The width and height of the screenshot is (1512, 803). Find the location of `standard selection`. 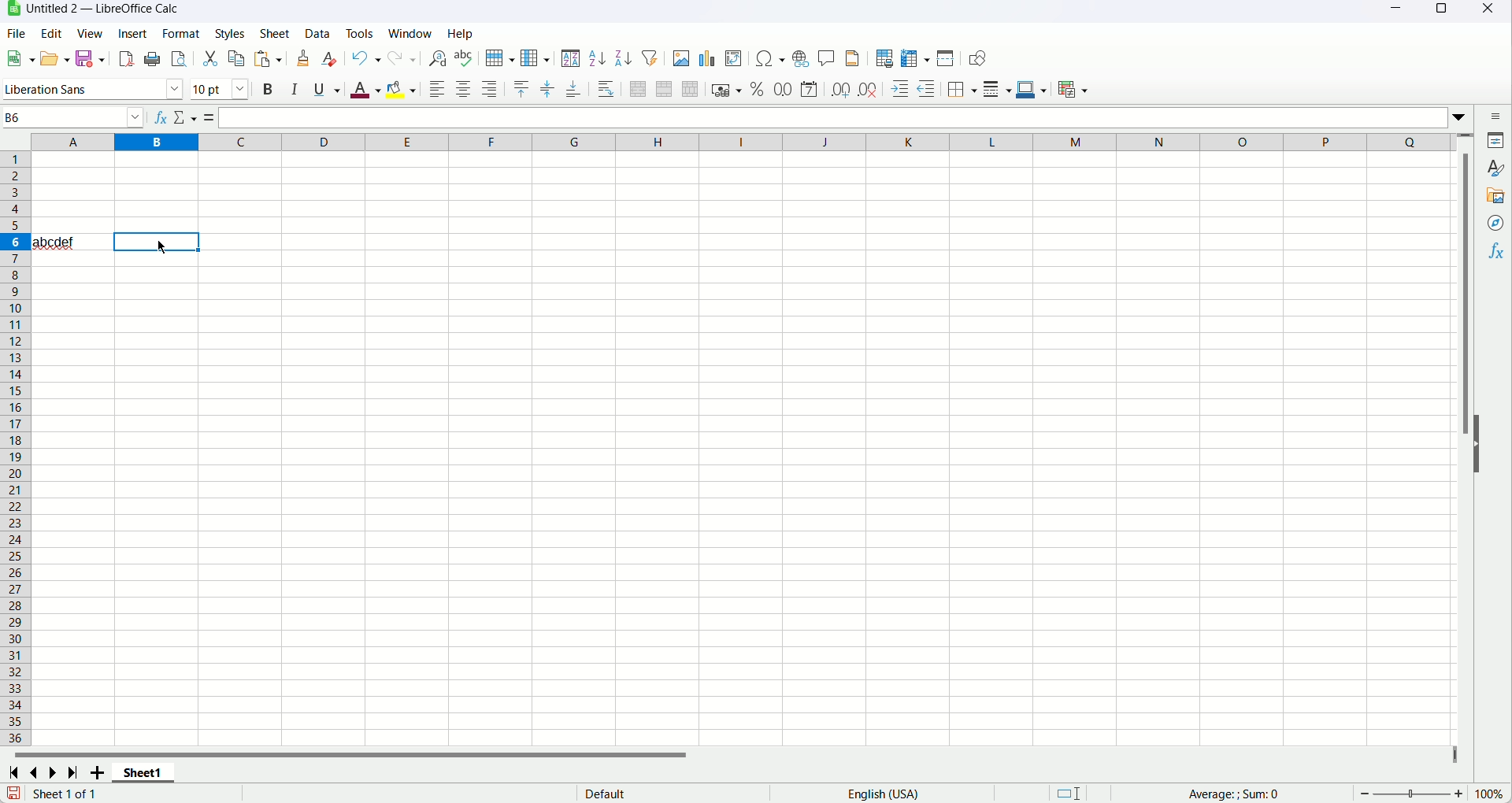

standard selection is located at coordinates (1069, 792).